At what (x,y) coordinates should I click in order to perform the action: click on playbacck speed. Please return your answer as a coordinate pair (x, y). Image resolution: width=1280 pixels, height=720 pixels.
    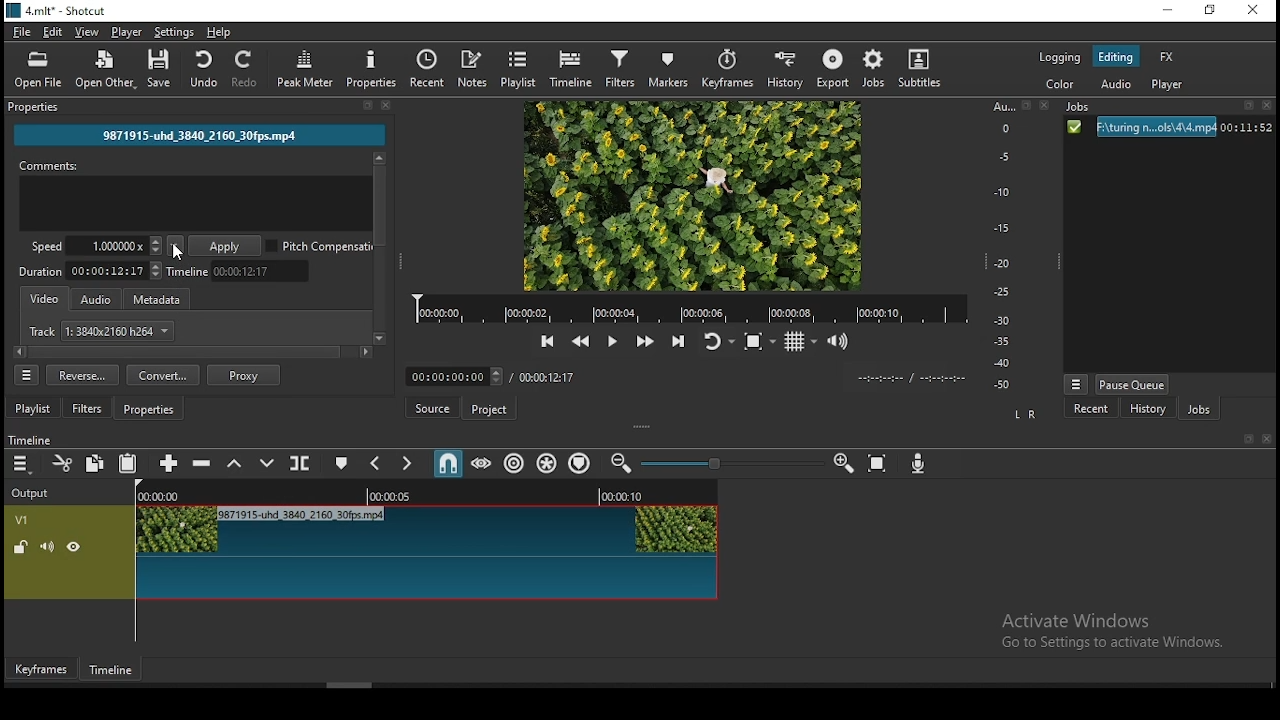
    Looking at the image, I should click on (96, 246).